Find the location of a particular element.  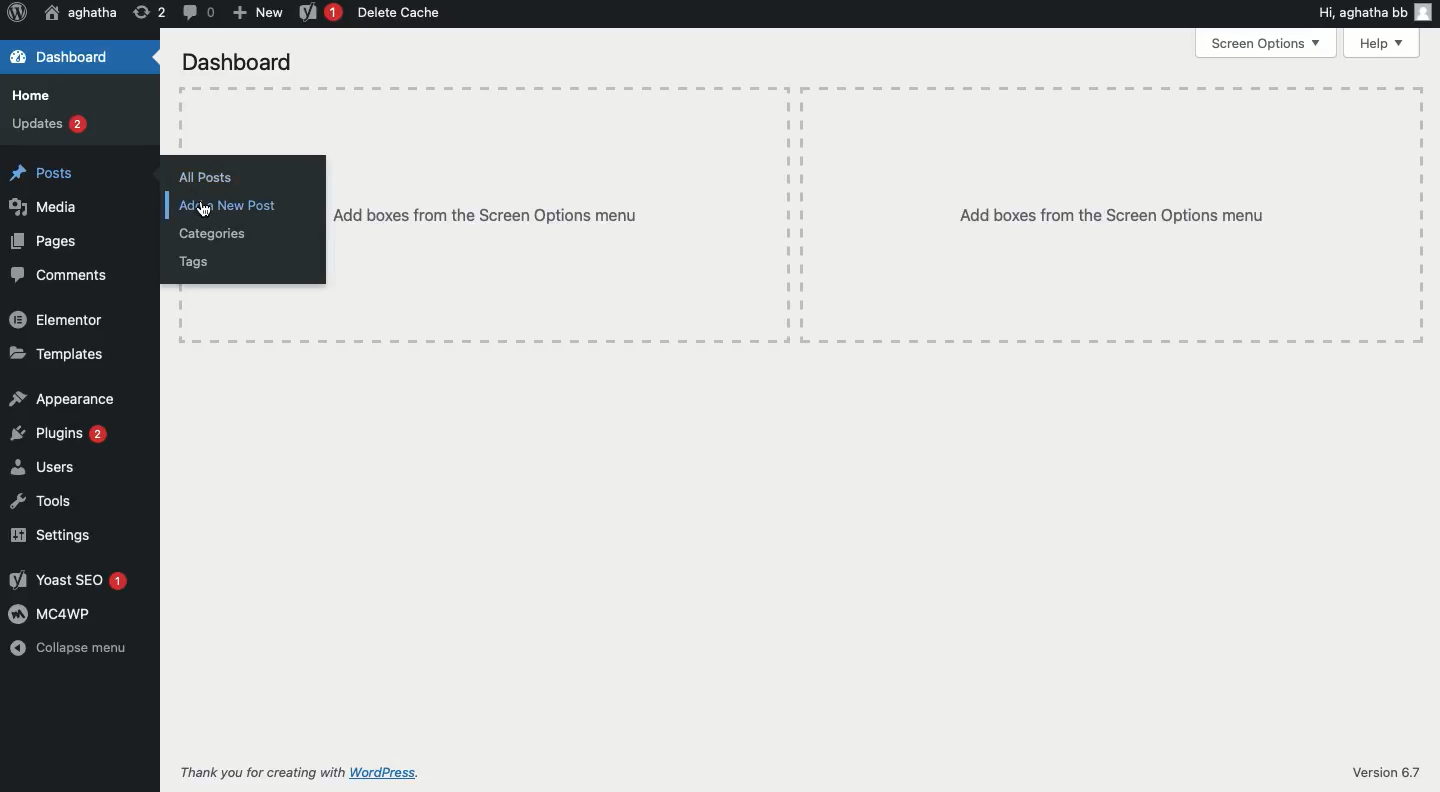

Users is located at coordinates (42, 466).